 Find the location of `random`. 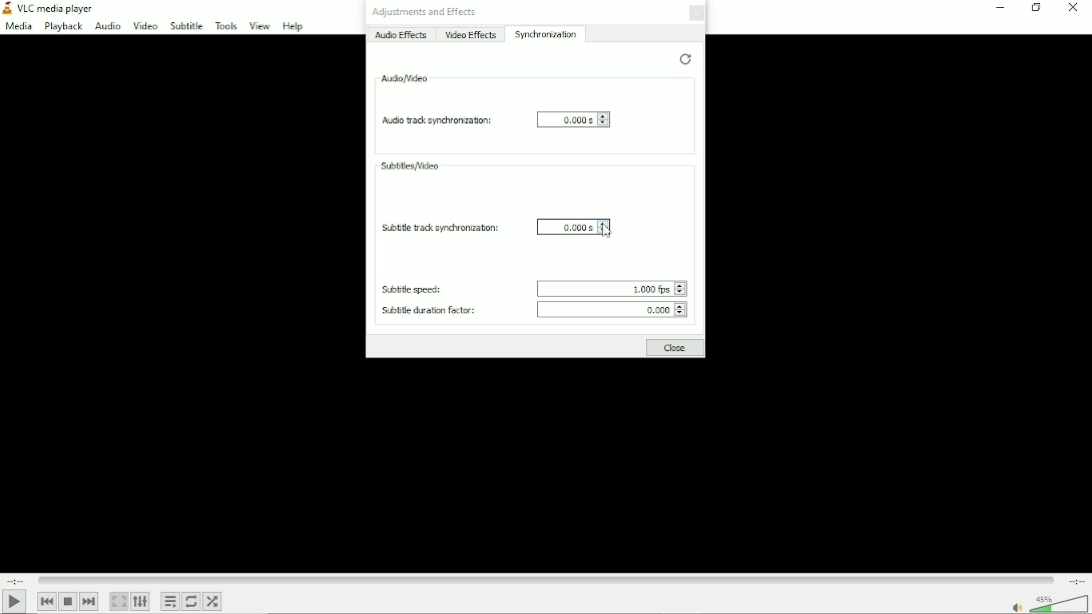

random is located at coordinates (214, 601).